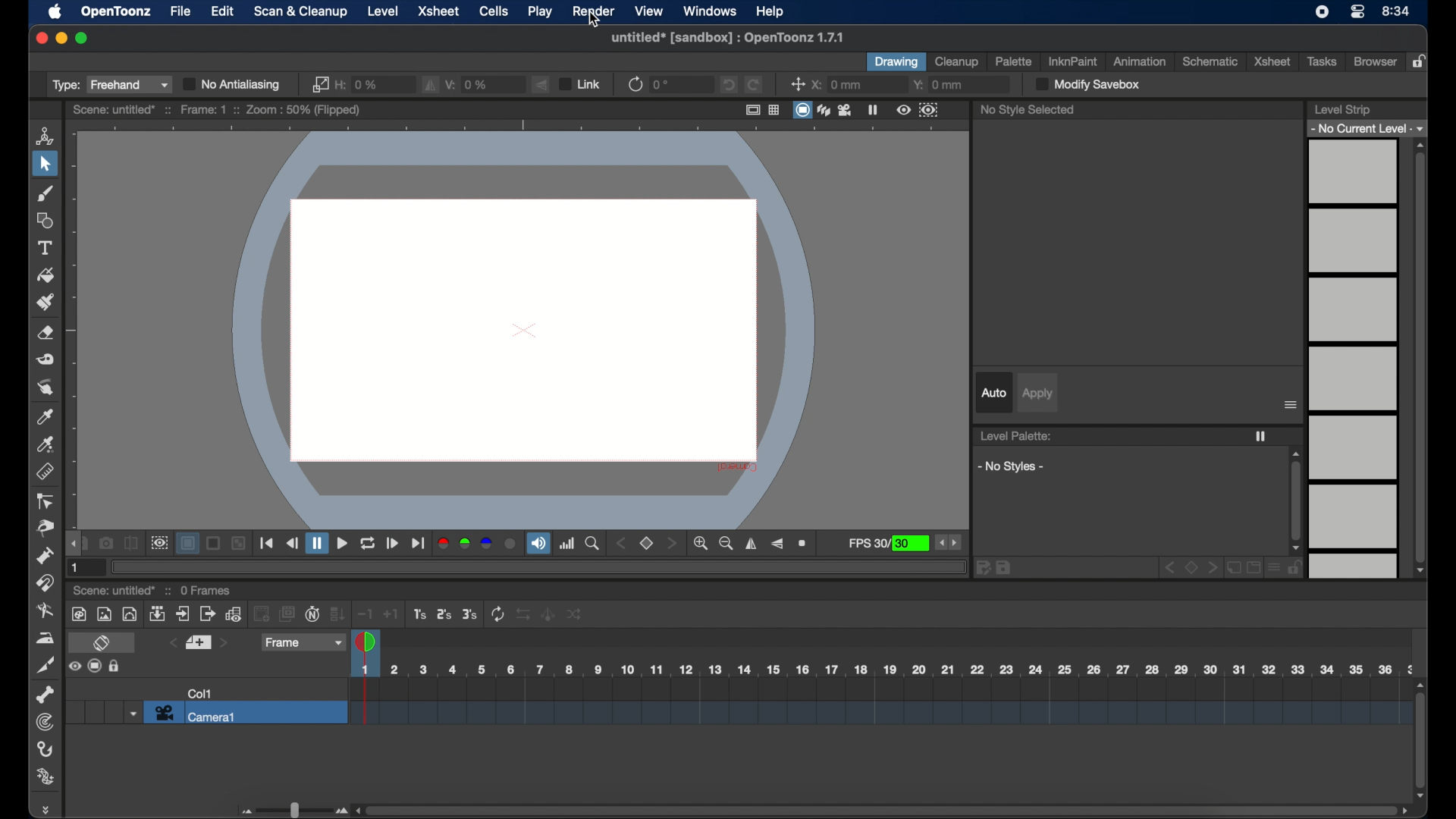  I want to click on palette, so click(1014, 61).